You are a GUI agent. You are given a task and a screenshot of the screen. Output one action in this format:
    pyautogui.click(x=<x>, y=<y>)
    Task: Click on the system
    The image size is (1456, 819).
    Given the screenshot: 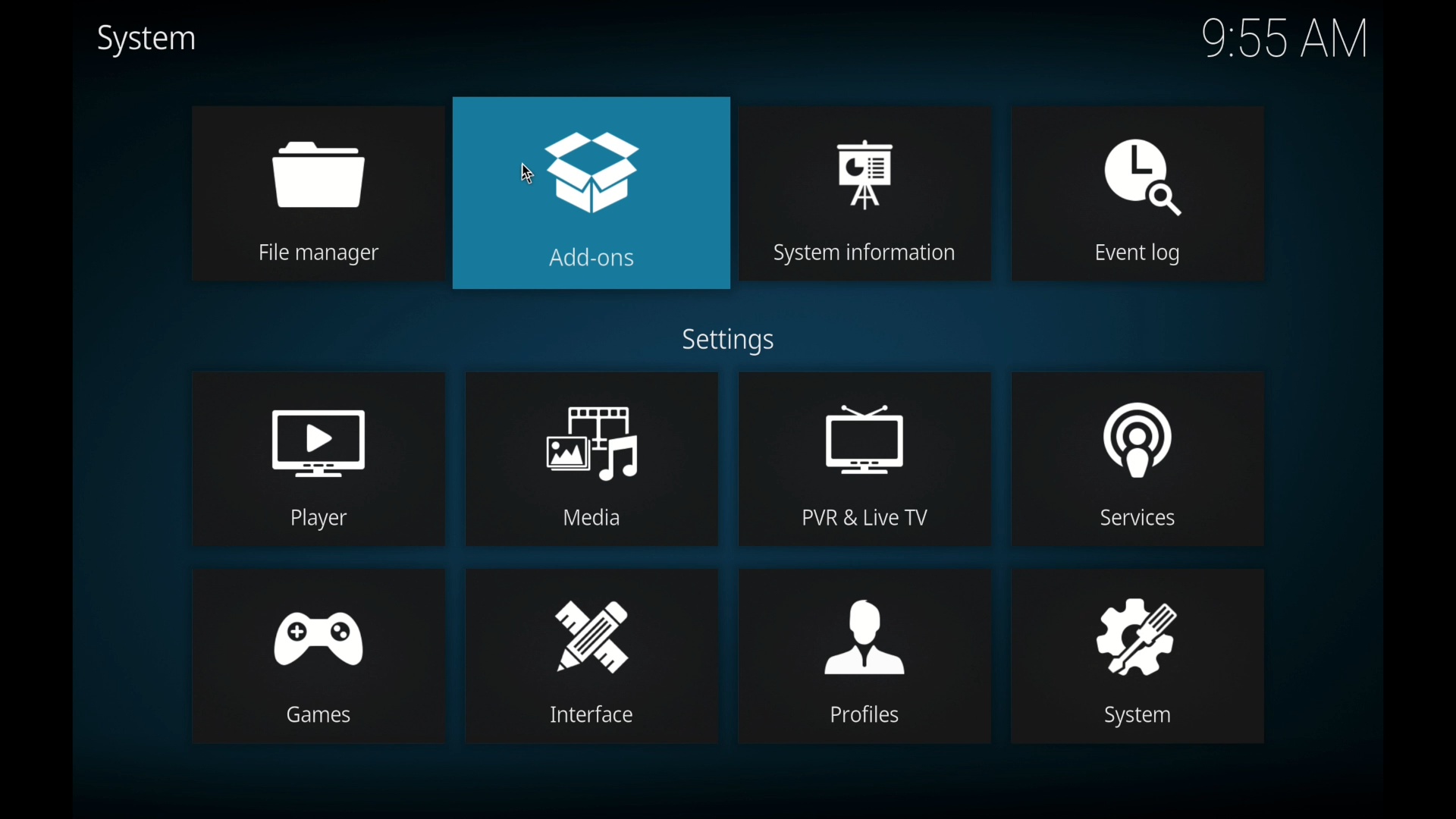 What is the action you would take?
    pyautogui.click(x=146, y=40)
    